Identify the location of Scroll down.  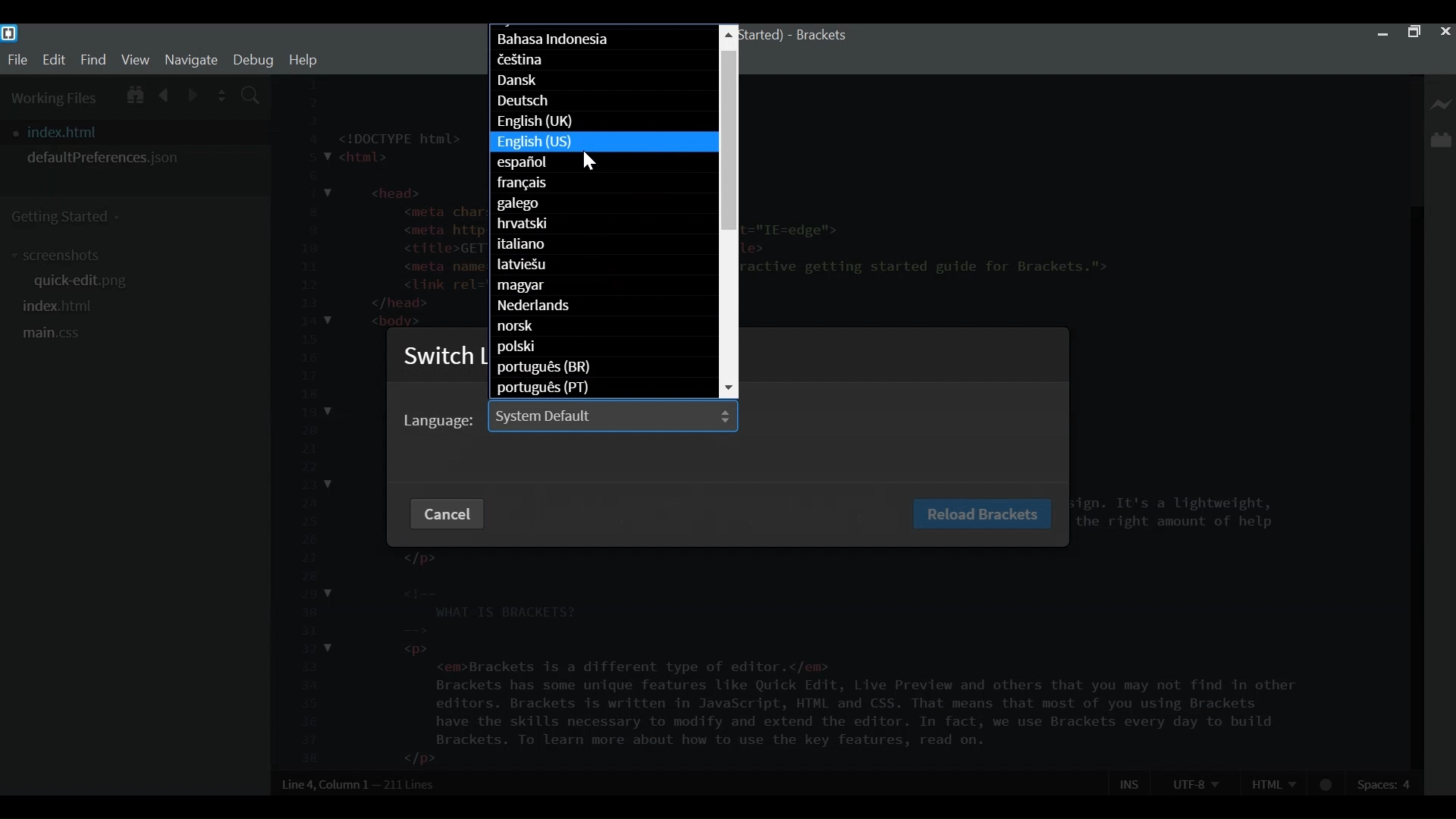
(730, 388).